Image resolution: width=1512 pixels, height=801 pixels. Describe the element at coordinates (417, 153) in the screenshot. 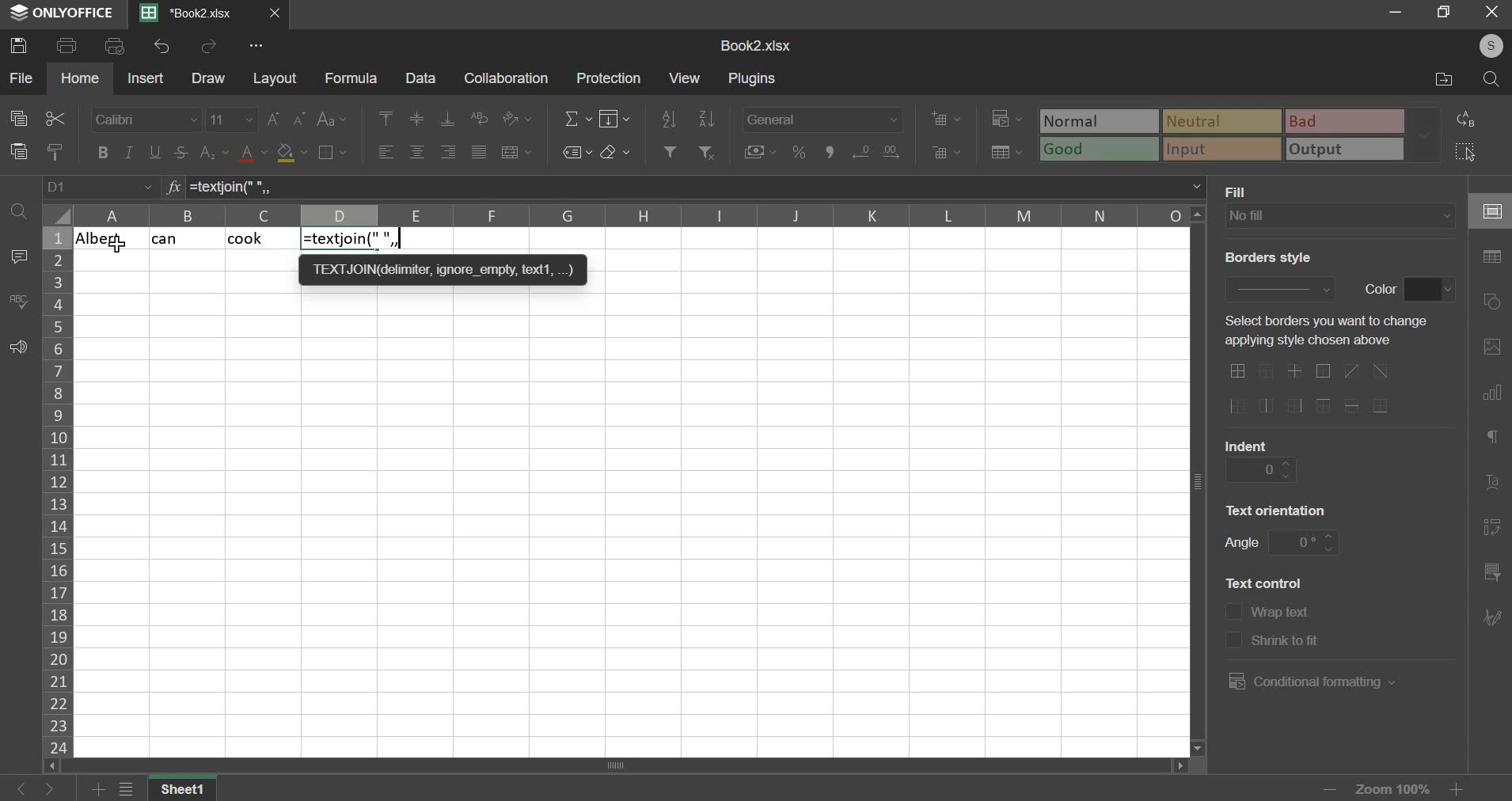

I see `align center` at that location.